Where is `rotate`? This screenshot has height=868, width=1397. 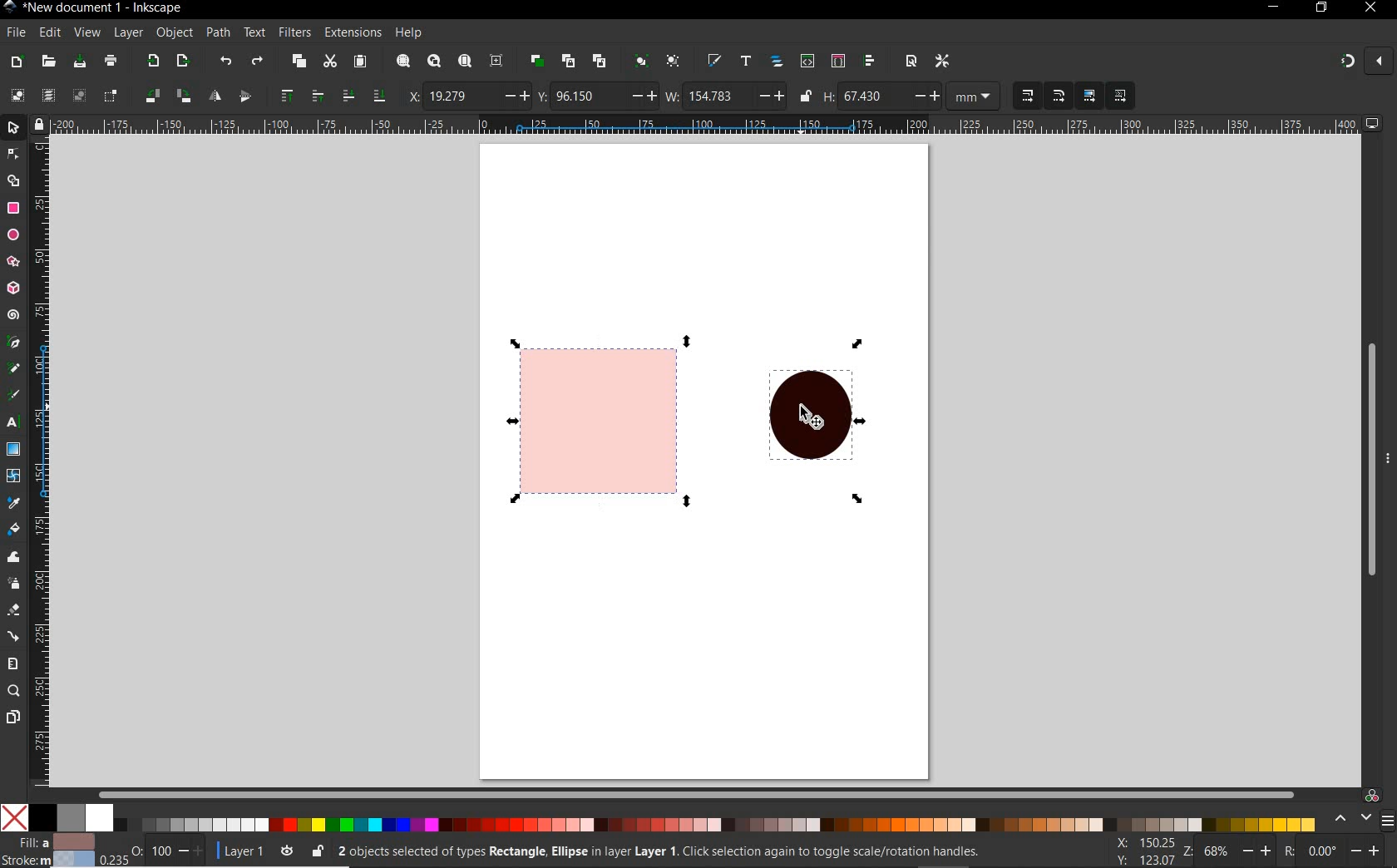 rotate is located at coordinates (1339, 852).